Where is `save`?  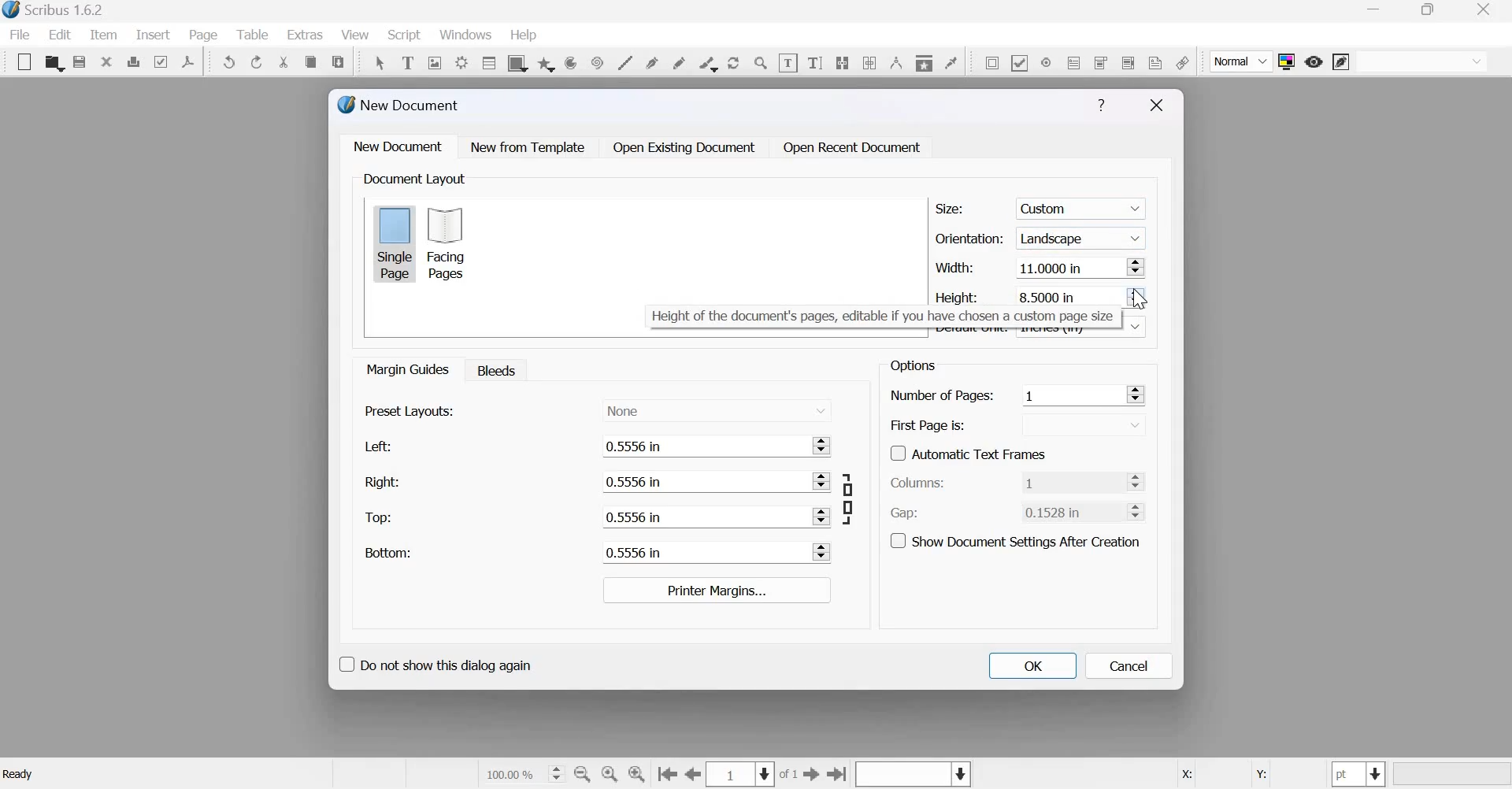
save is located at coordinates (80, 62).